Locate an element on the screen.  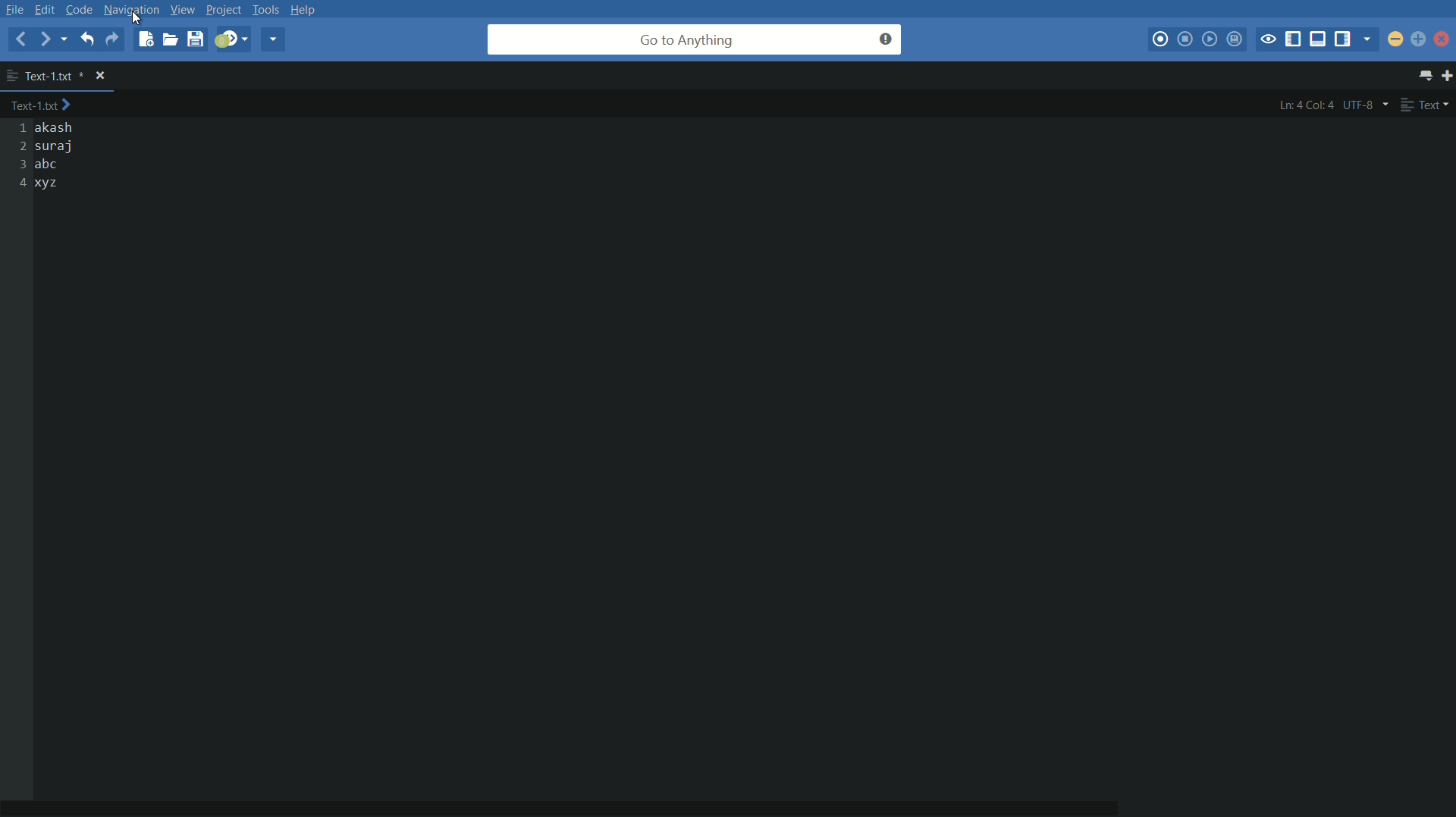
play last macro is located at coordinates (1210, 39).